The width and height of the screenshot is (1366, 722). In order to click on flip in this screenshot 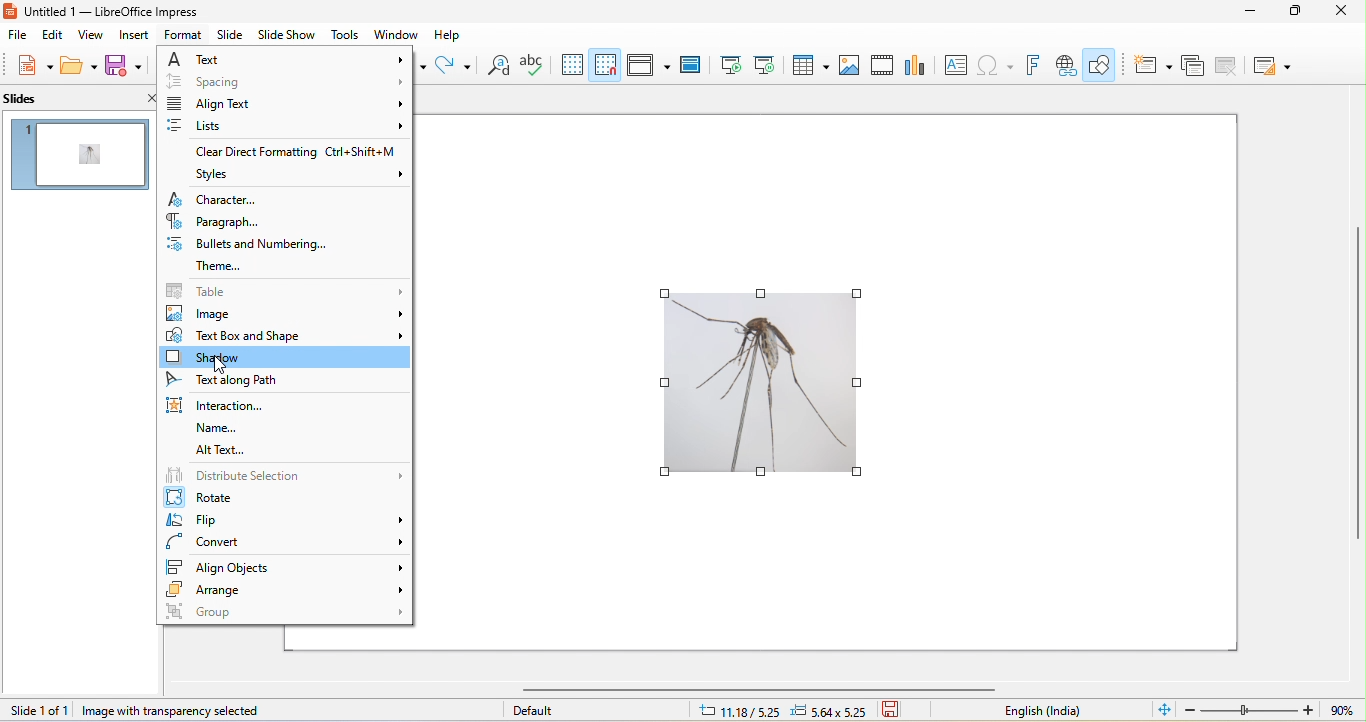, I will do `click(288, 520)`.